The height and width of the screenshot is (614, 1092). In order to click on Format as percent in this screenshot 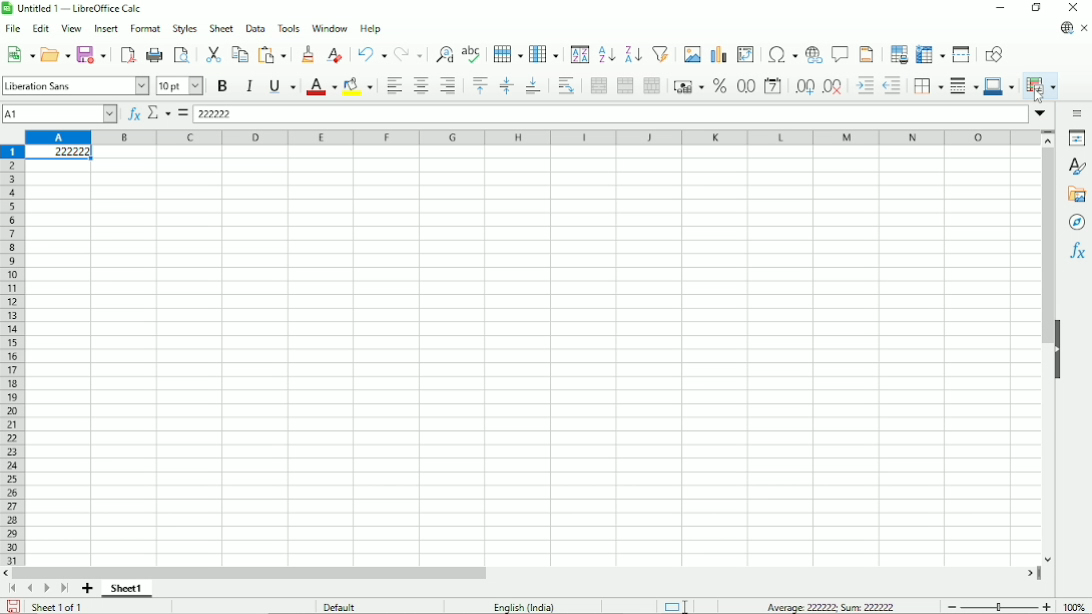, I will do `click(719, 86)`.